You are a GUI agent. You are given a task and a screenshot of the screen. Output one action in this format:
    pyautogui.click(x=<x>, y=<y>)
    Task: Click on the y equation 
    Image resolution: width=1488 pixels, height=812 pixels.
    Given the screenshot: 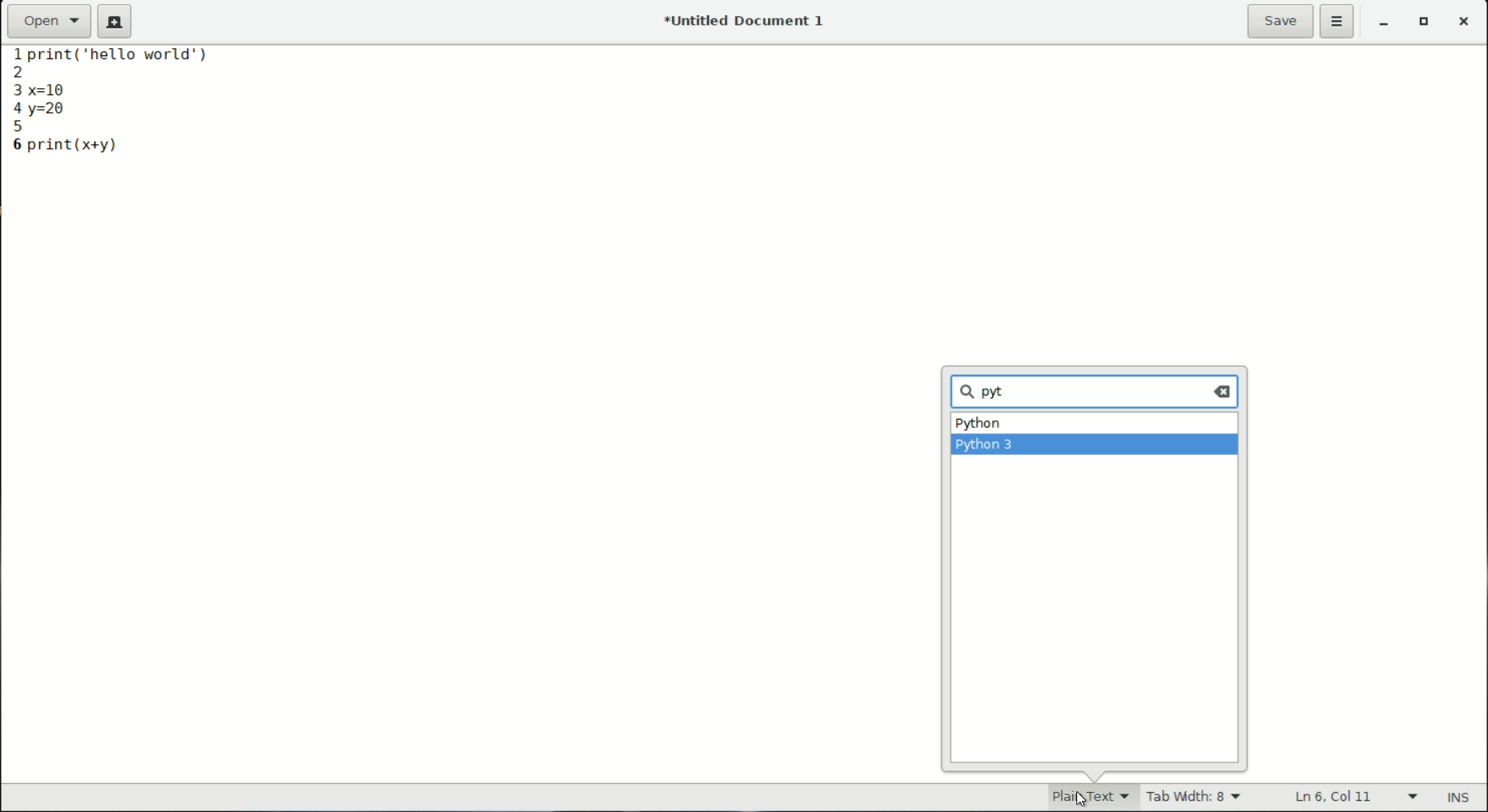 What is the action you would take?
    pyautogui.click(x=51, y=110)
    